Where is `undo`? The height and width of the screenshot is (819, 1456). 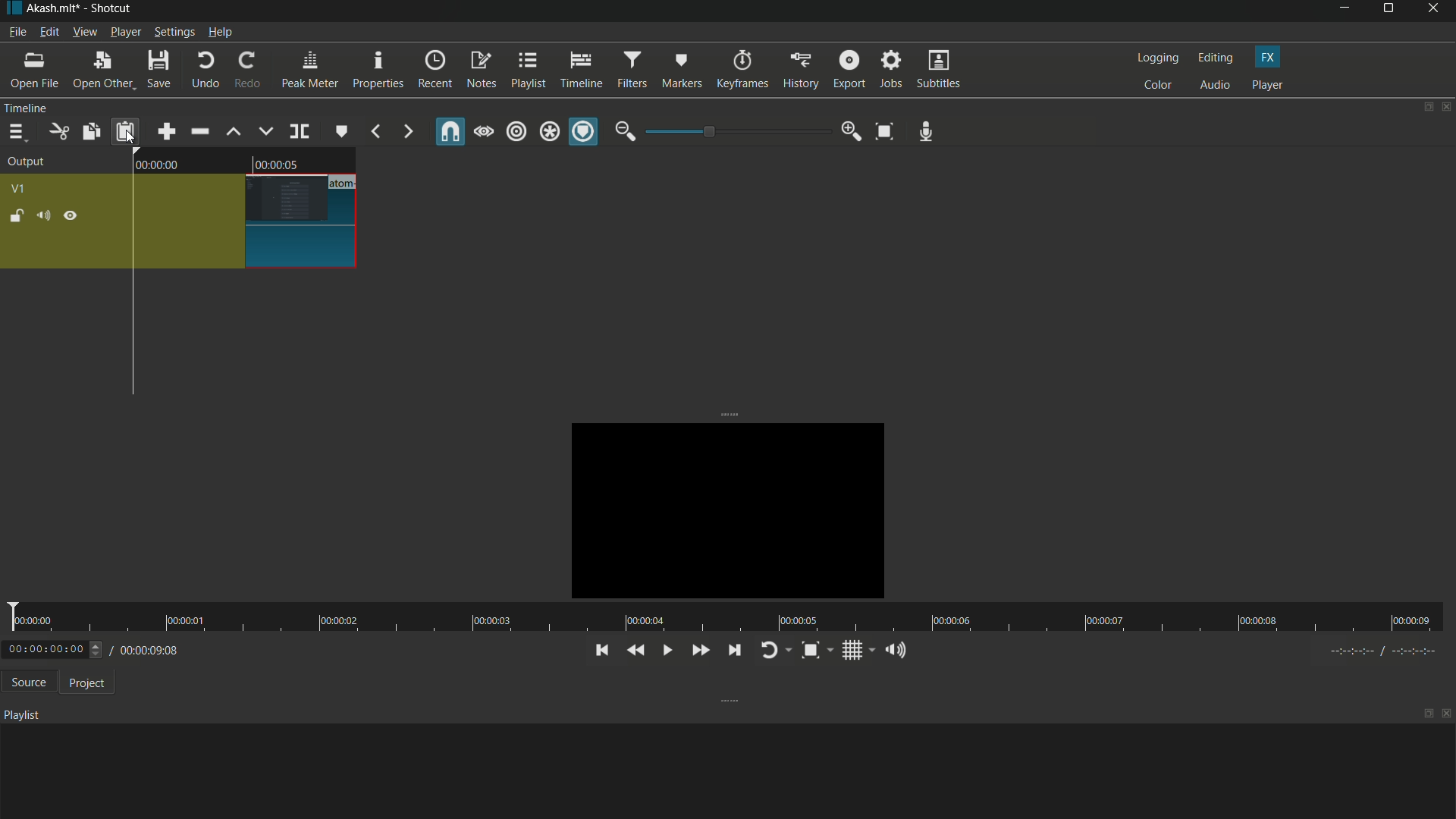
undo is located at coordinates (202, 71).